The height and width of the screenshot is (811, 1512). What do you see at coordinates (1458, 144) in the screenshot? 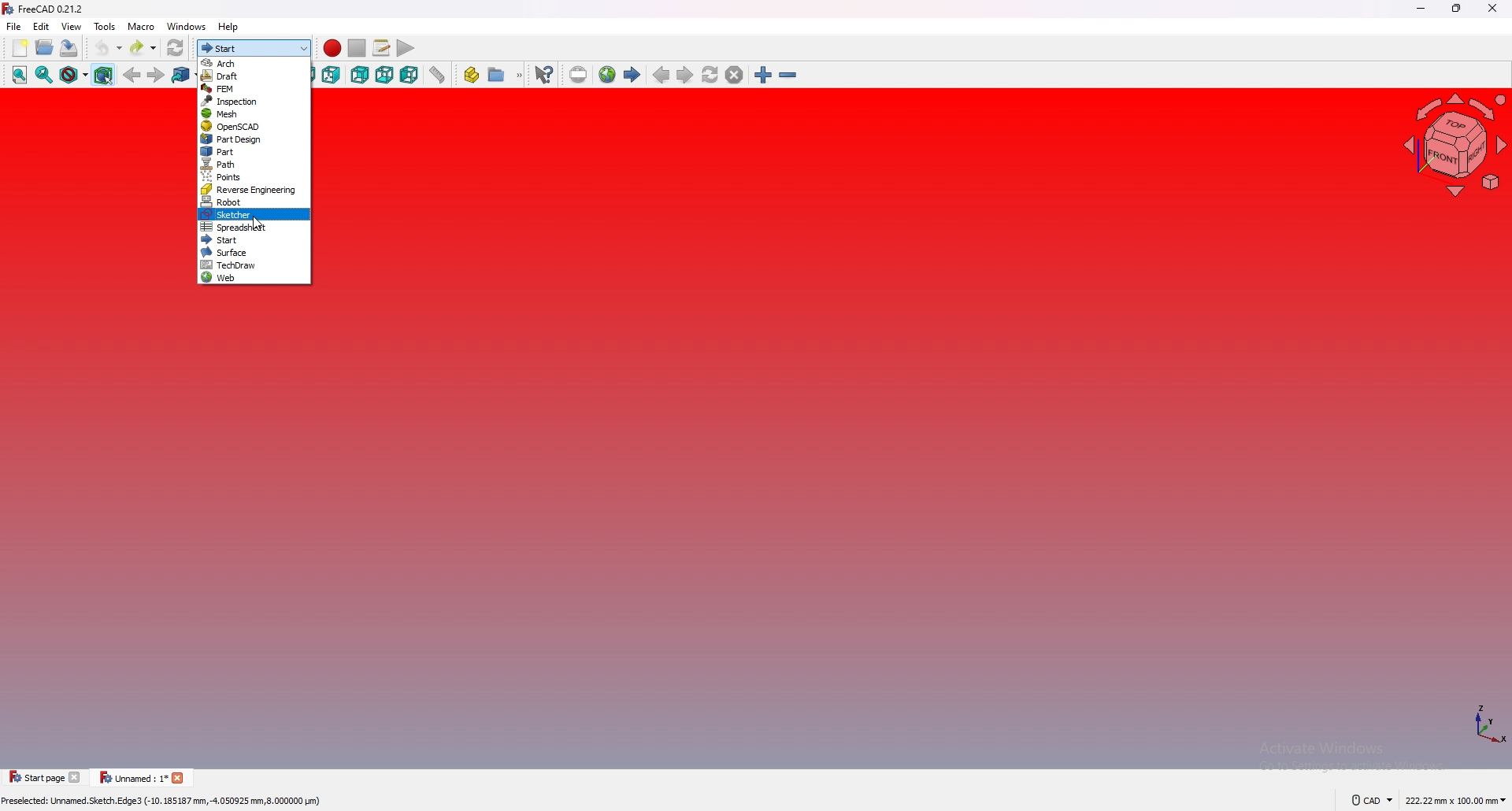
I see `navigating cube` at bounding box center [1458, 144].